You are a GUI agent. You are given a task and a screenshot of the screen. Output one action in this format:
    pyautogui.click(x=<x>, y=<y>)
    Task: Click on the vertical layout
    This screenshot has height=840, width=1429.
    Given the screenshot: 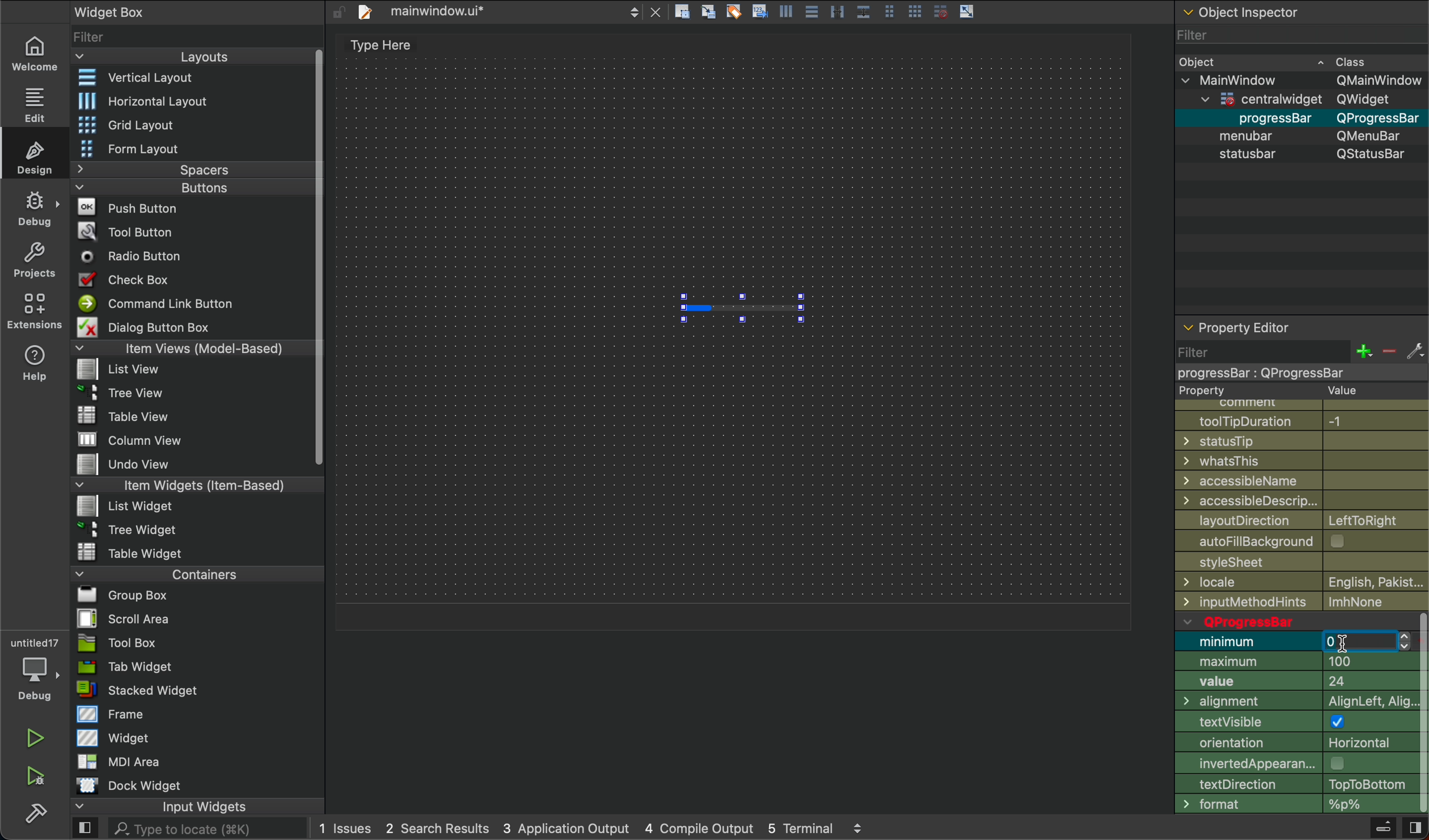 What is the action you would take?
    pyautogui.click(x=188, y=79)
    